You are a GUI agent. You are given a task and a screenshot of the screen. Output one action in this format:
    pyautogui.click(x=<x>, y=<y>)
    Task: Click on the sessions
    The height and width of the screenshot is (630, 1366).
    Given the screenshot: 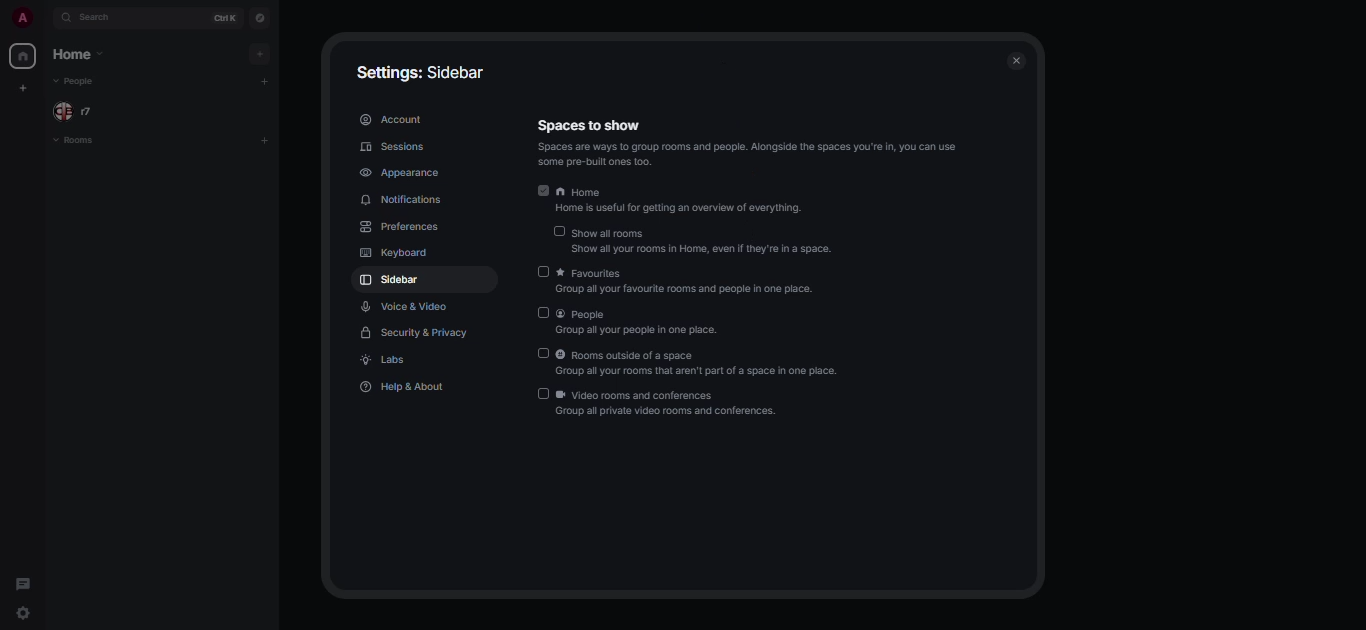 What is the action you would take?
    pyautogui.click(x=395, y=148)
    